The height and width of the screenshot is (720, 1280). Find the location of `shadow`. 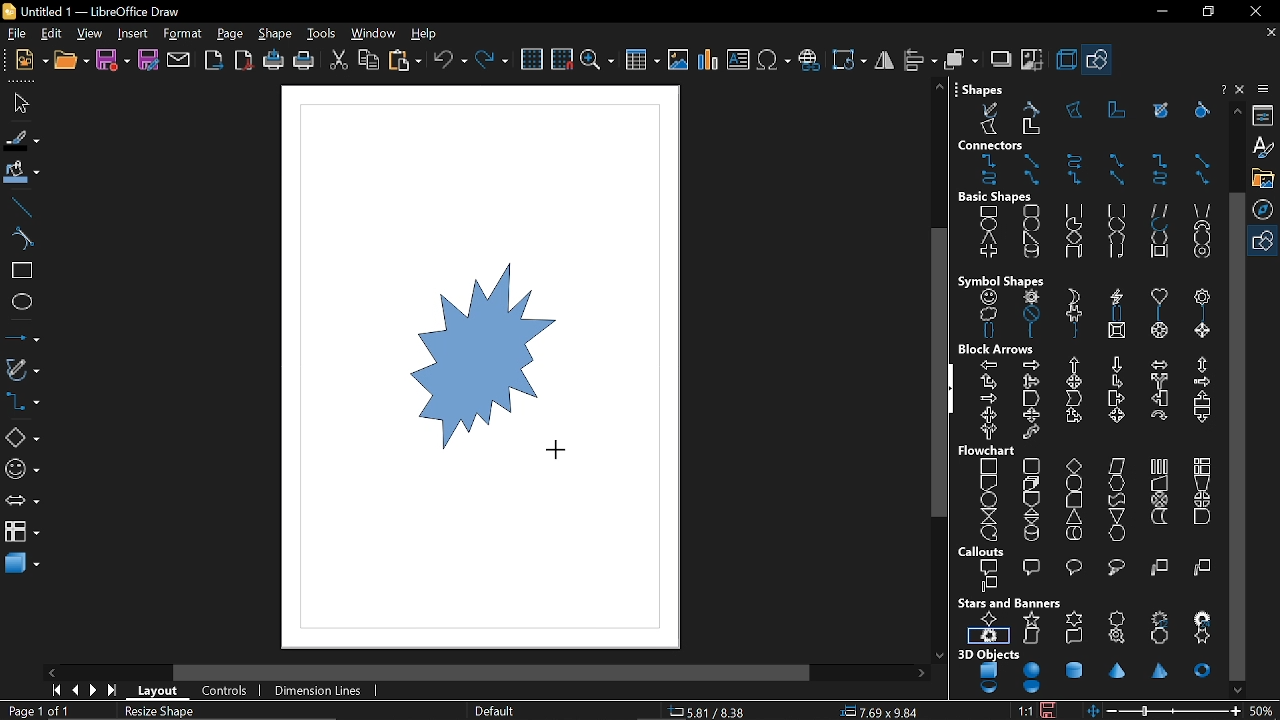

shadow is located at coordinates (1001, 61).